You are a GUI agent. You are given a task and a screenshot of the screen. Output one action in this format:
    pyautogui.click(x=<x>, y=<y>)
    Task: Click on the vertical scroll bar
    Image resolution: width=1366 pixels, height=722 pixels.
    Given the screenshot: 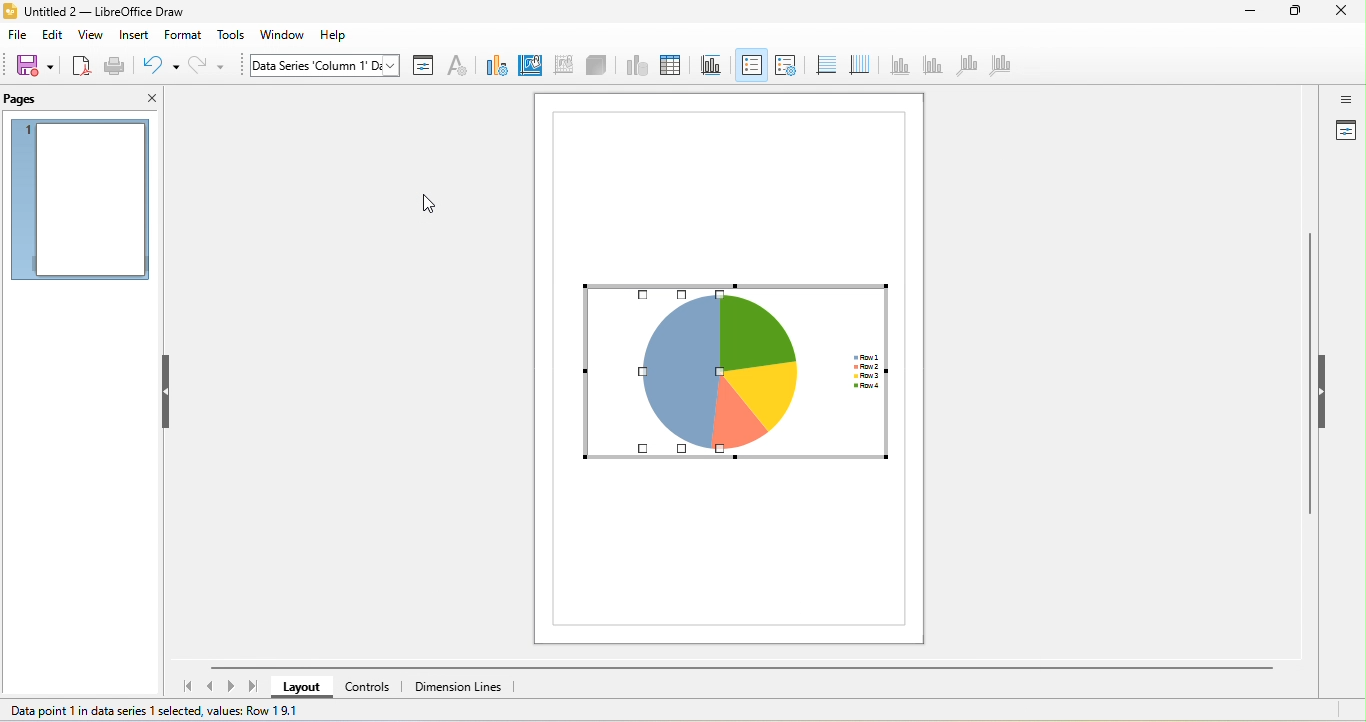 What is the action you would take?
    pyautogui.click(x=1310, y=380)
    